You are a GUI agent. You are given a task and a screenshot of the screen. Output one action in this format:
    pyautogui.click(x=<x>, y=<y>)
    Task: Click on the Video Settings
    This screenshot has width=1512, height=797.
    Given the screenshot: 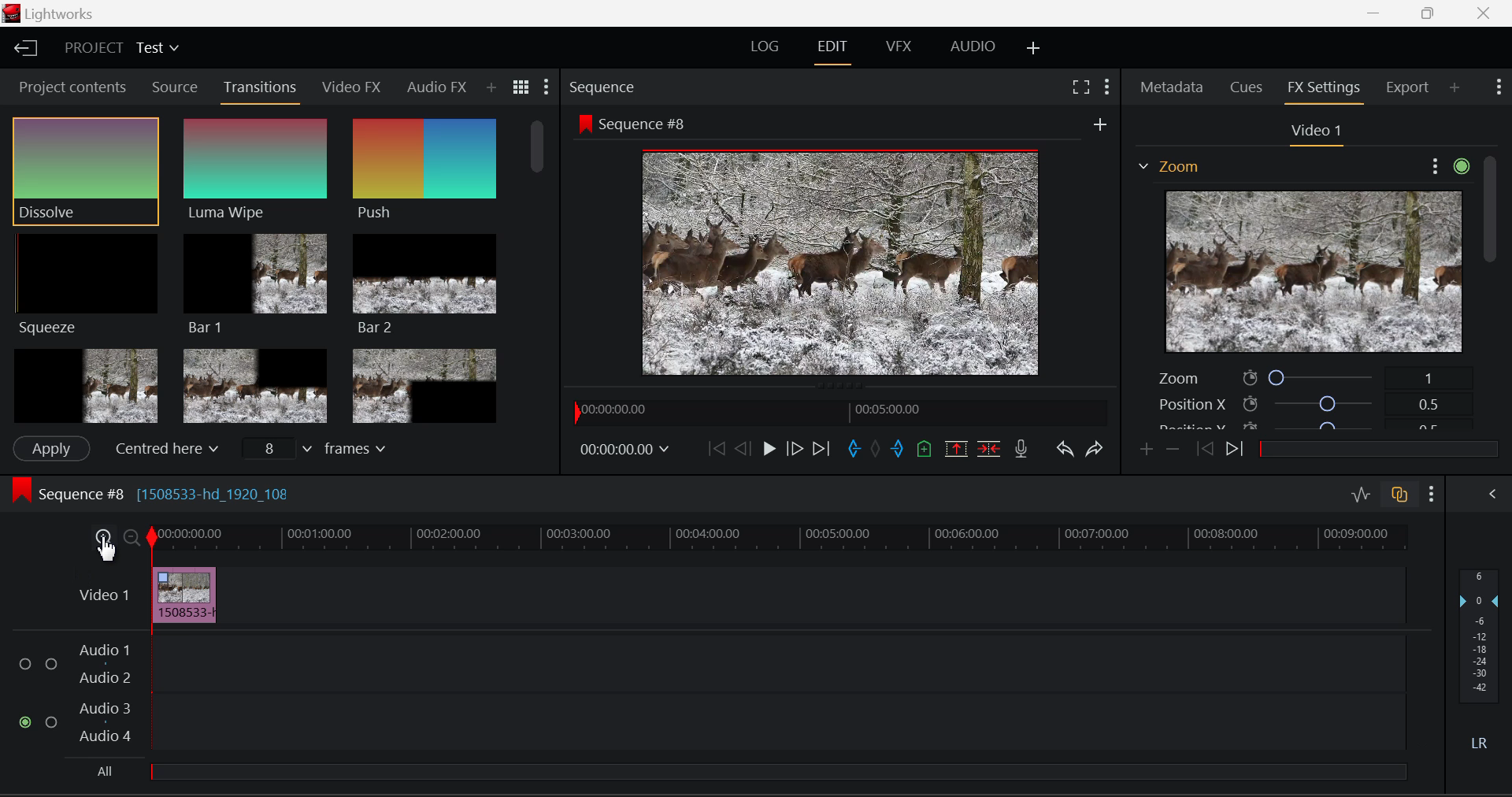 What is the action you would take?
    pyautogui.click(x=1317, y=131)
    